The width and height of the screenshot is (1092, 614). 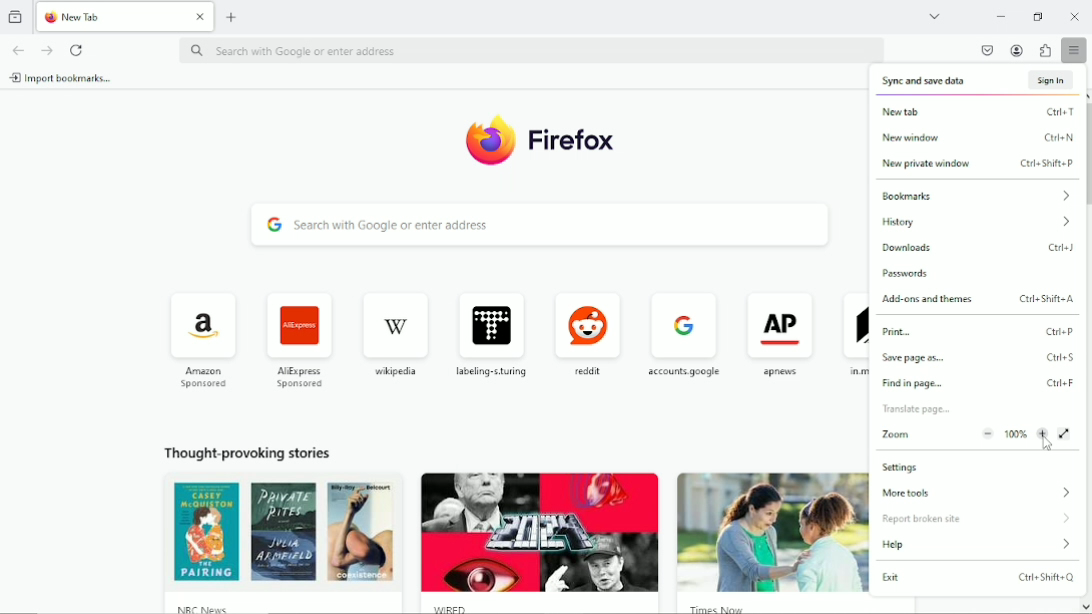 What do you see at coordinates (1086, 155) in the screenshot?
I see `Vertical scrollbar` at bounding box center [1086, 155].